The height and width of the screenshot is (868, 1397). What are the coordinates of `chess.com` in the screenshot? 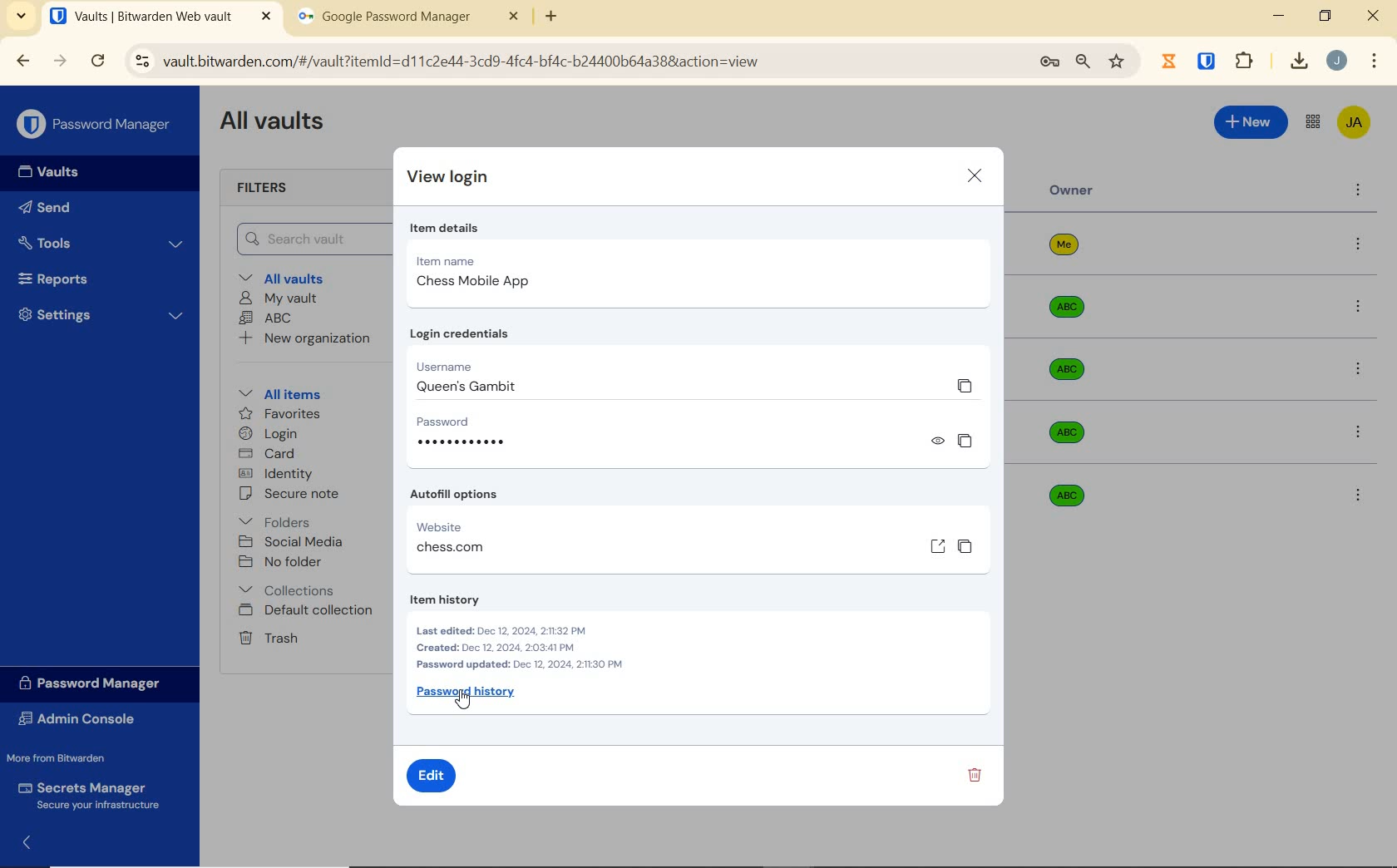 It's located at (452, 550).